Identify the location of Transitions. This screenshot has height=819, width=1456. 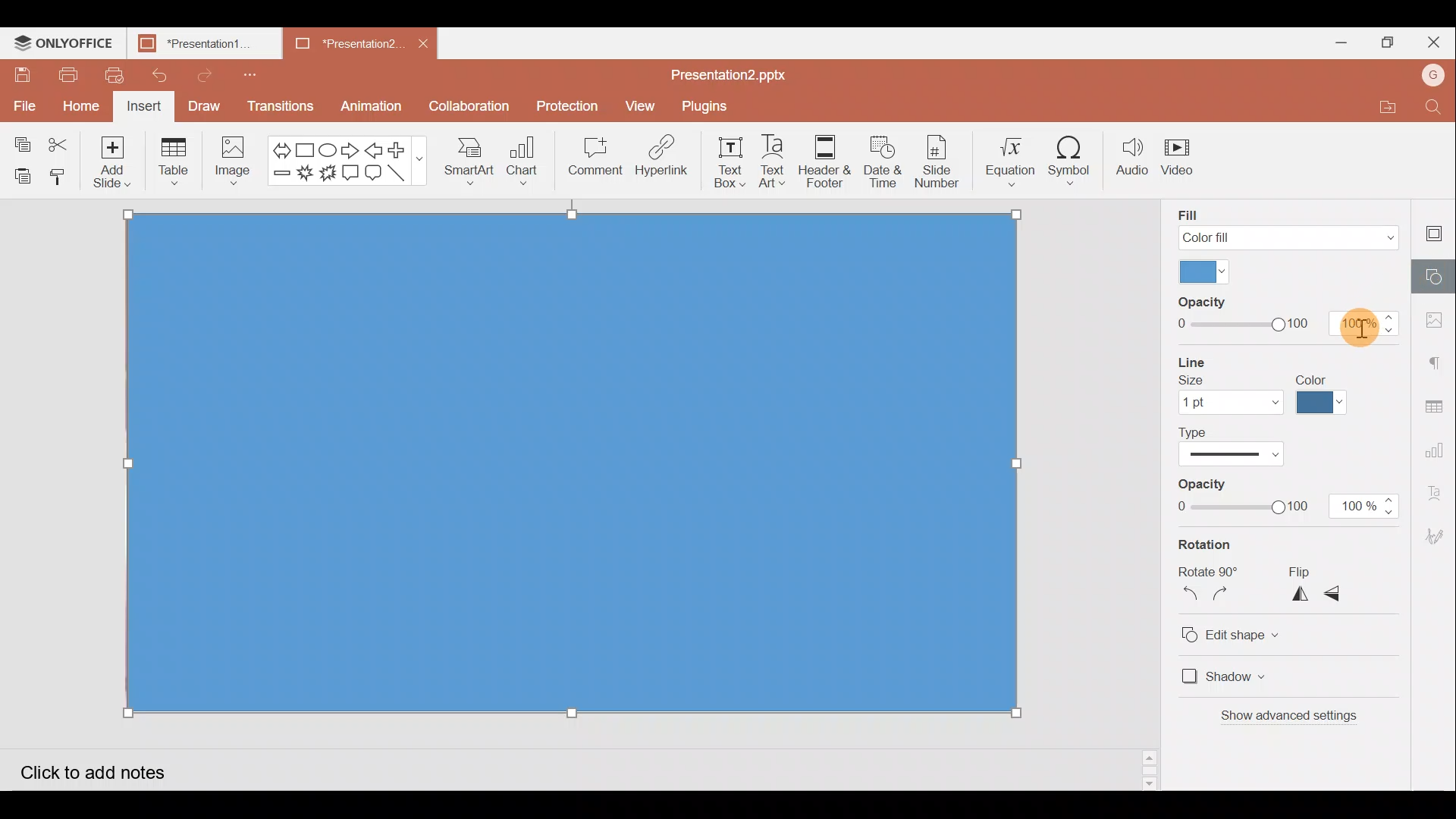
(279, 106).